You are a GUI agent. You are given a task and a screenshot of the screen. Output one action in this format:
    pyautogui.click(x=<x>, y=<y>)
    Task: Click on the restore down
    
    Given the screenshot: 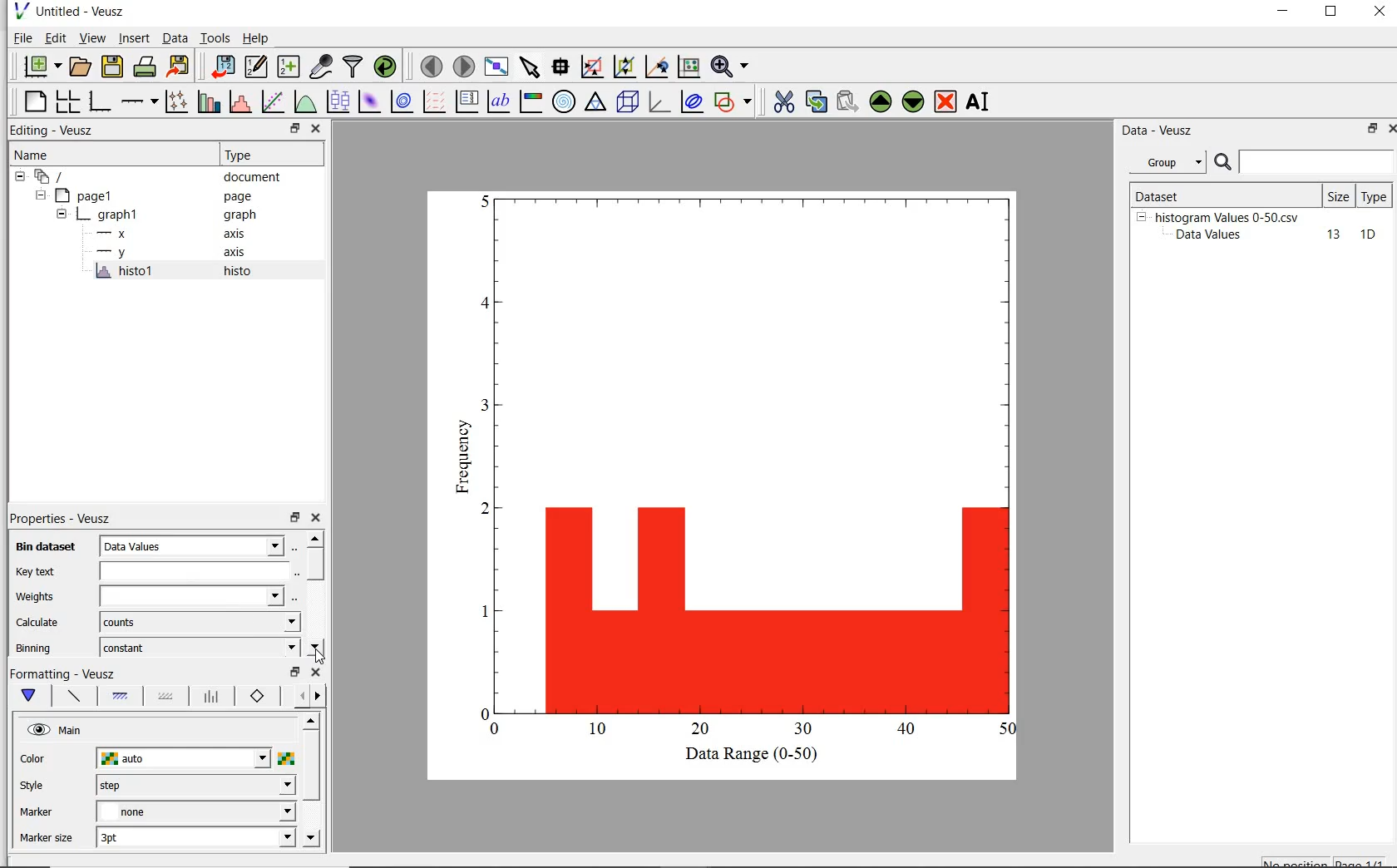 What is the action you would take?
    pyautogui.click(x=294, y=518)
    